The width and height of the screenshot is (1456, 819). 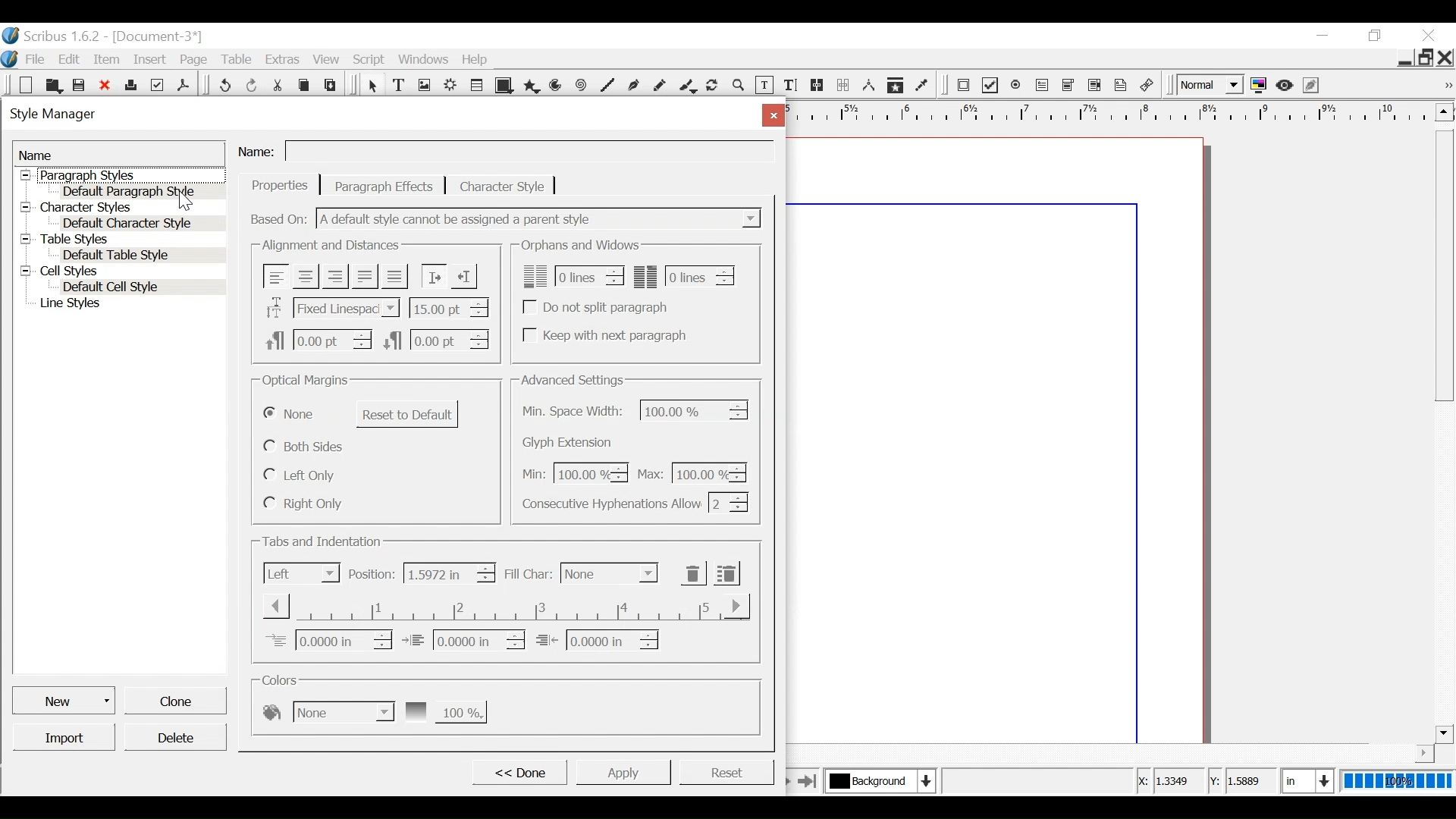 I want to click on Restore, so click(x=1376, y=36).